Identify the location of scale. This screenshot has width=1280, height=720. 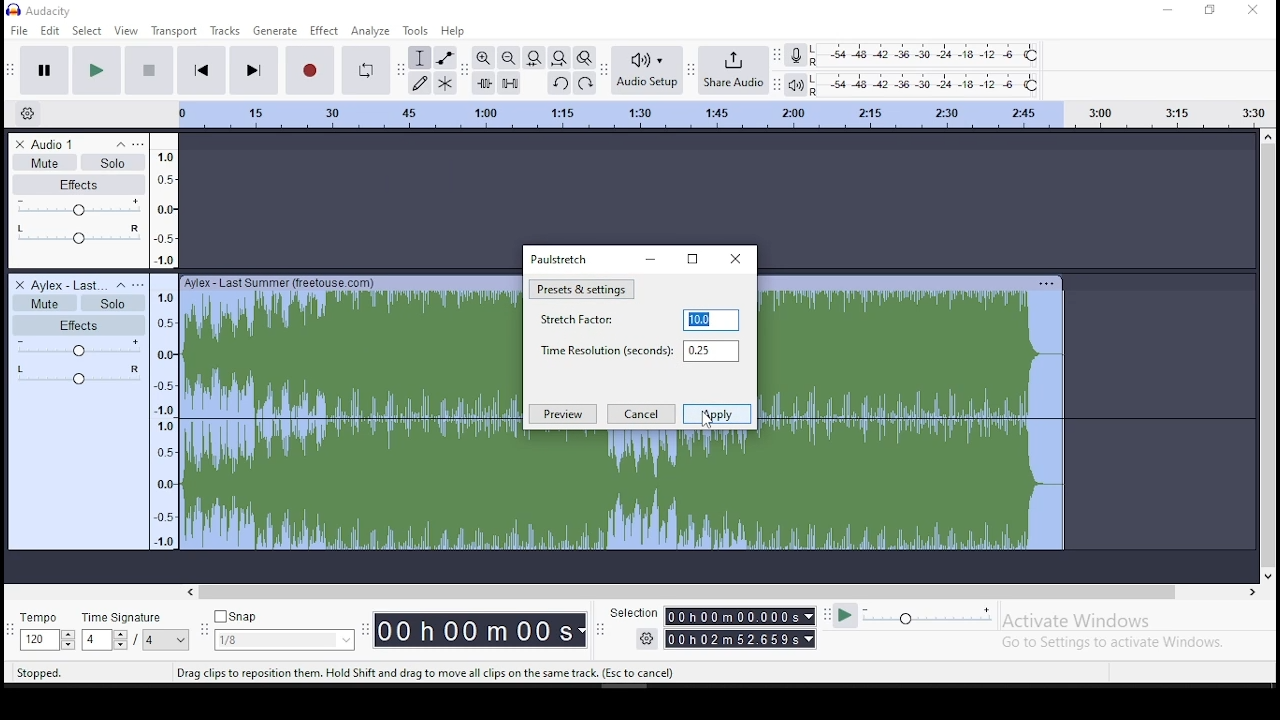
(717, 114).